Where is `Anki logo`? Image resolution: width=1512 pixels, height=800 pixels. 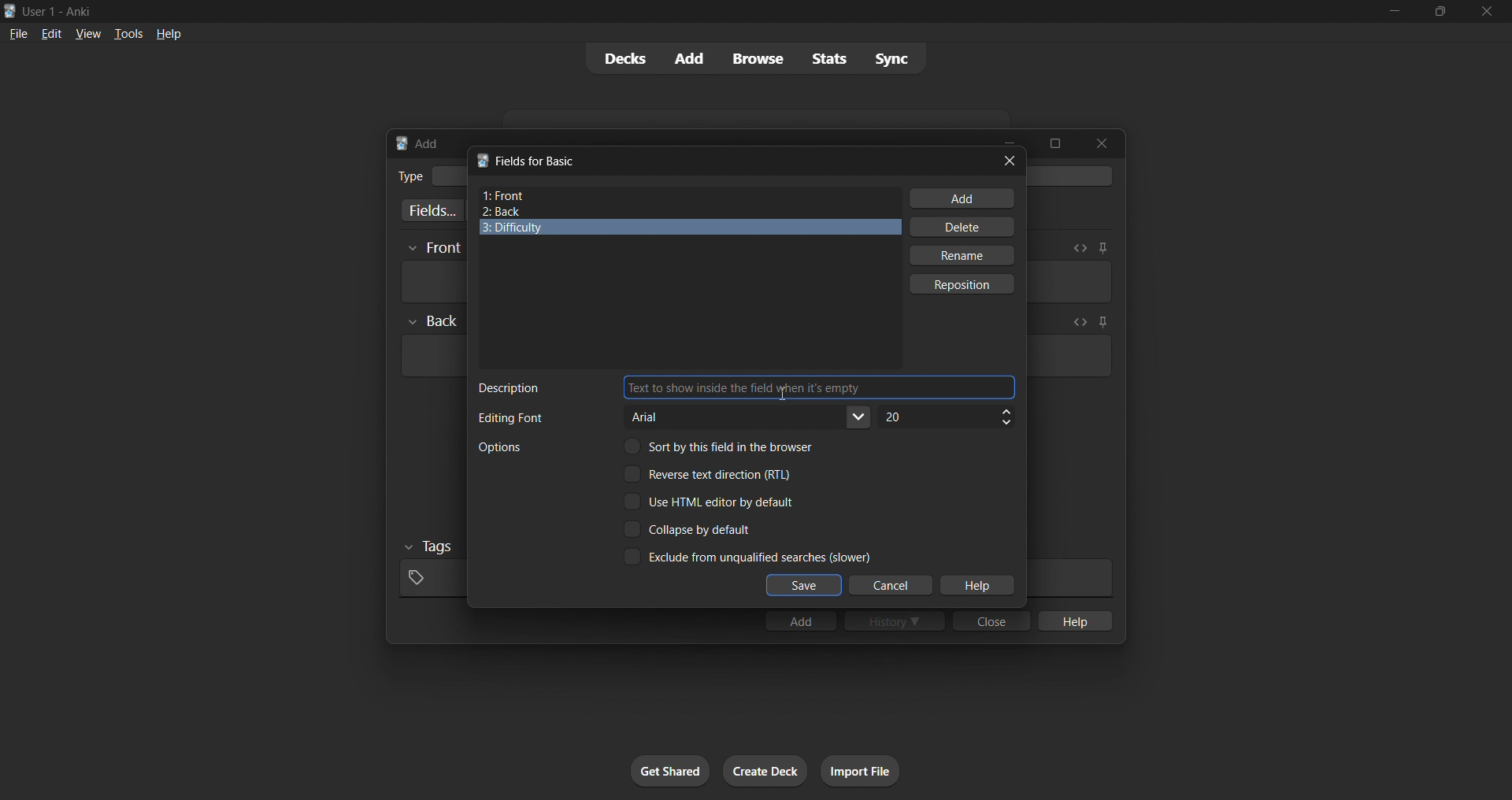 Anki logo is located at coordinates (402, 143).